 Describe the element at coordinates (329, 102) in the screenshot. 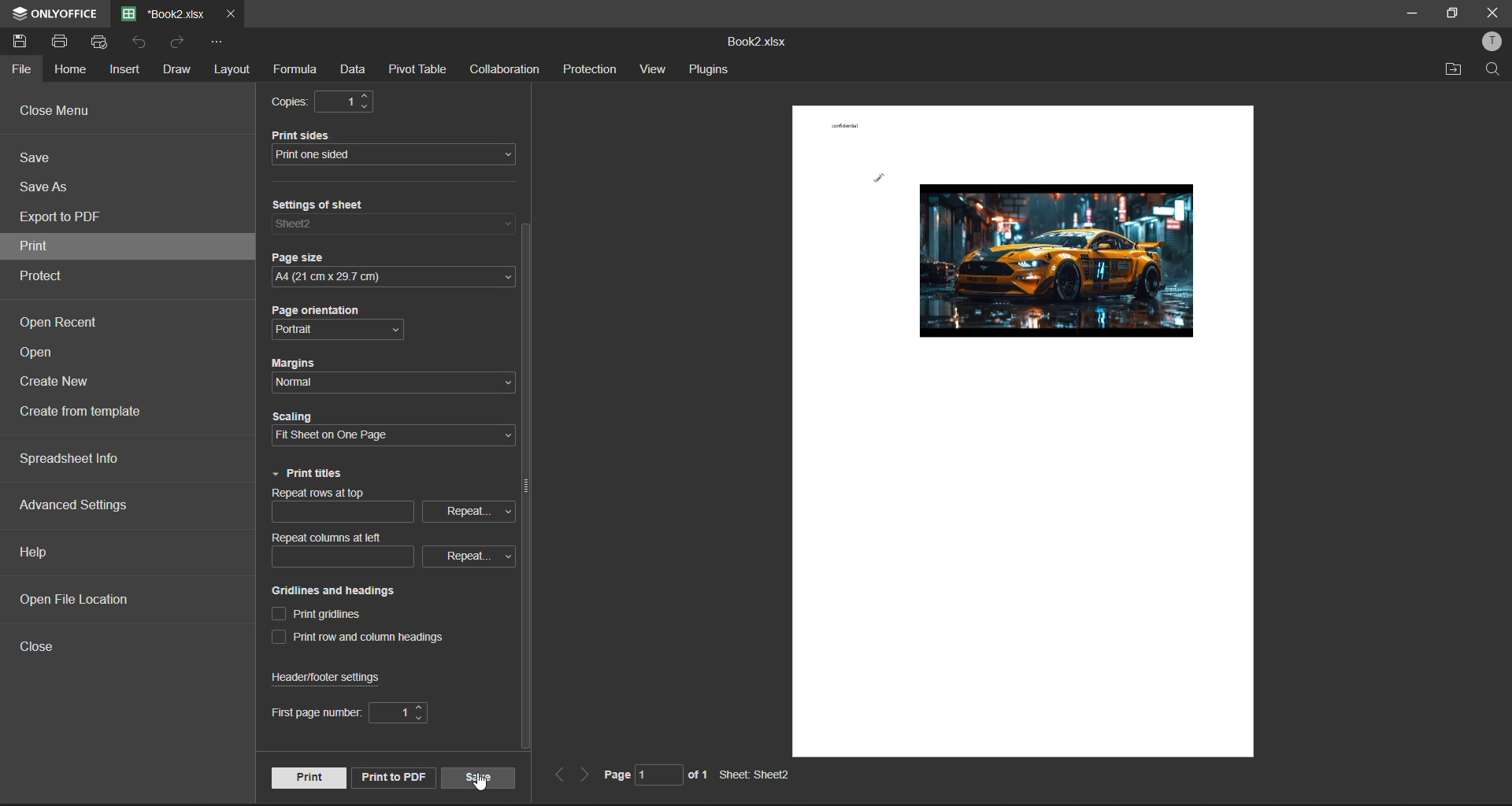

I see `copies` at that location.